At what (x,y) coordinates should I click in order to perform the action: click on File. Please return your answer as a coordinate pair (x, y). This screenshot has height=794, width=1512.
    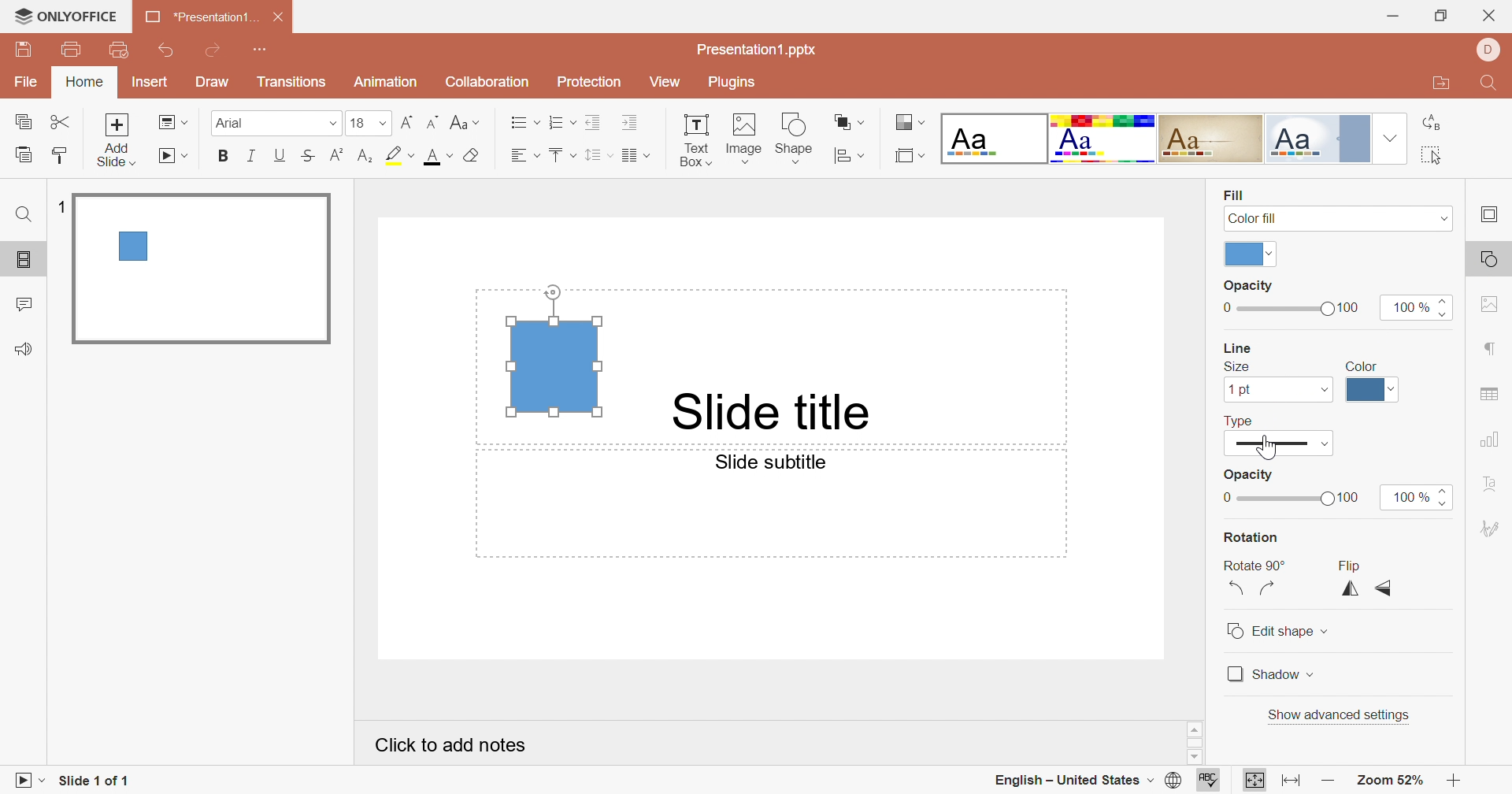
    Looking at the image, I should click on (26, 83).